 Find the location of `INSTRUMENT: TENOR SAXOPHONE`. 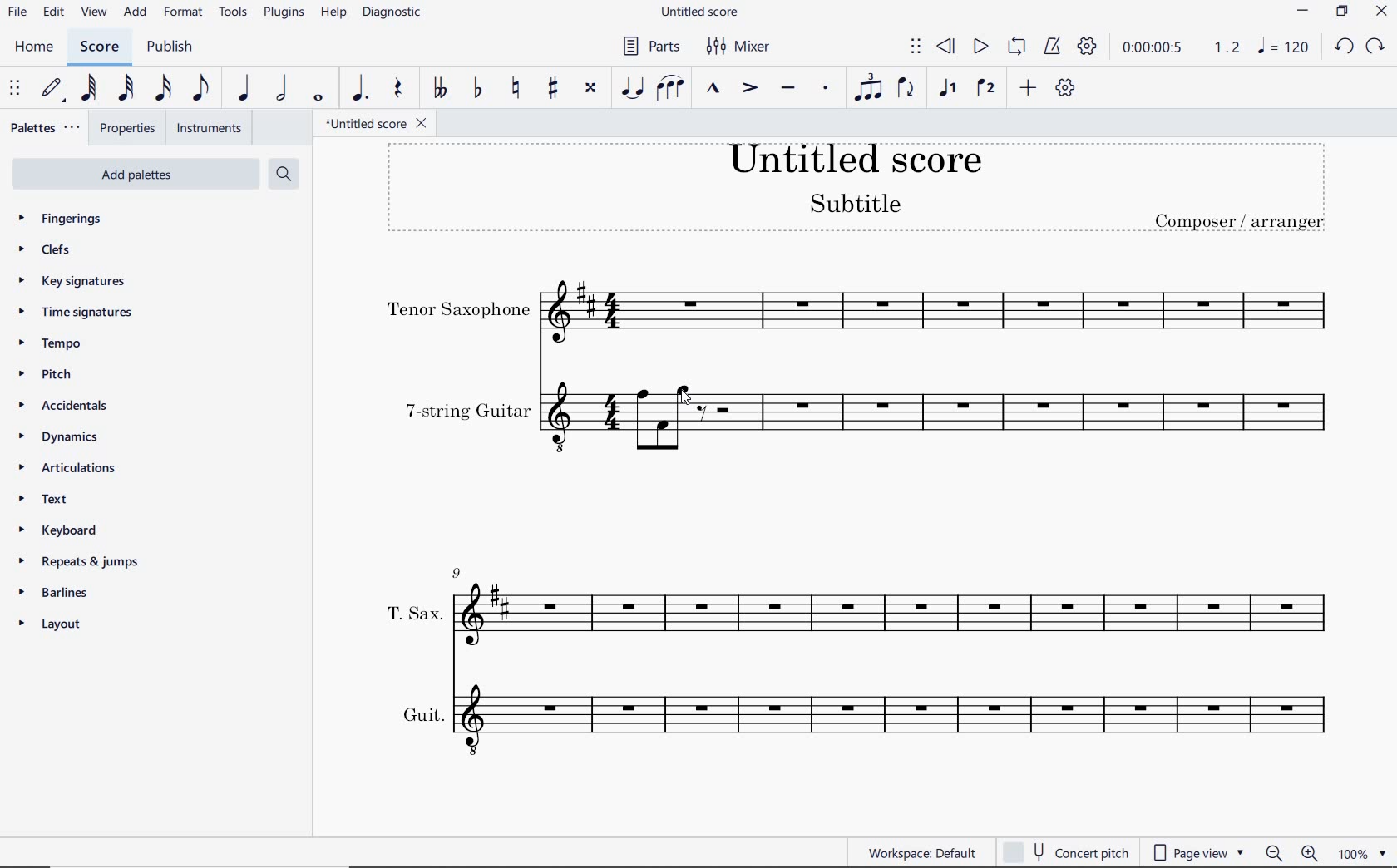

INSTRUMENT: TENOR SAXOPHONE is located at coordinates (860, 311).